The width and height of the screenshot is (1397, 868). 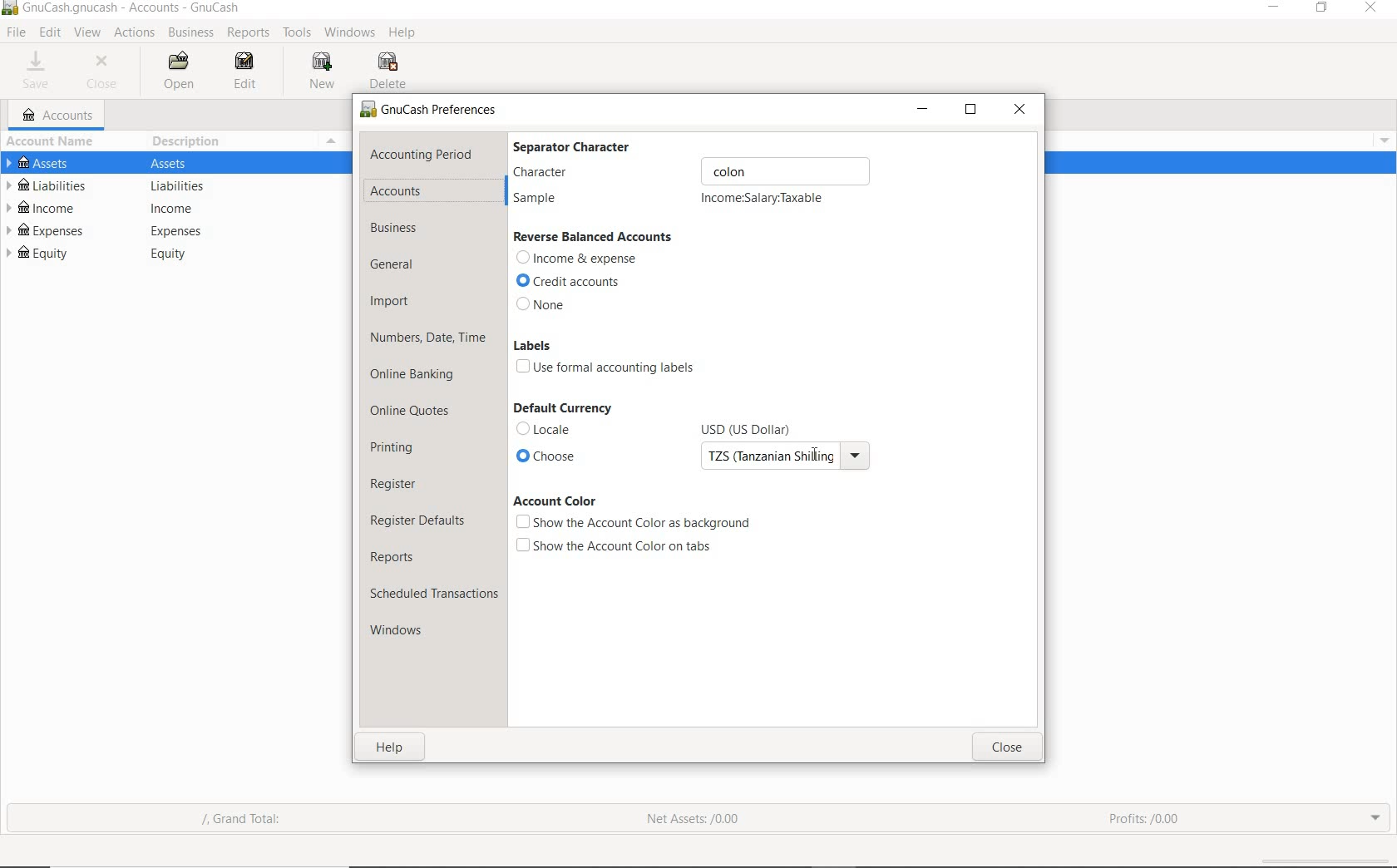 I want to click on profits, so click(x=1146, y=814).